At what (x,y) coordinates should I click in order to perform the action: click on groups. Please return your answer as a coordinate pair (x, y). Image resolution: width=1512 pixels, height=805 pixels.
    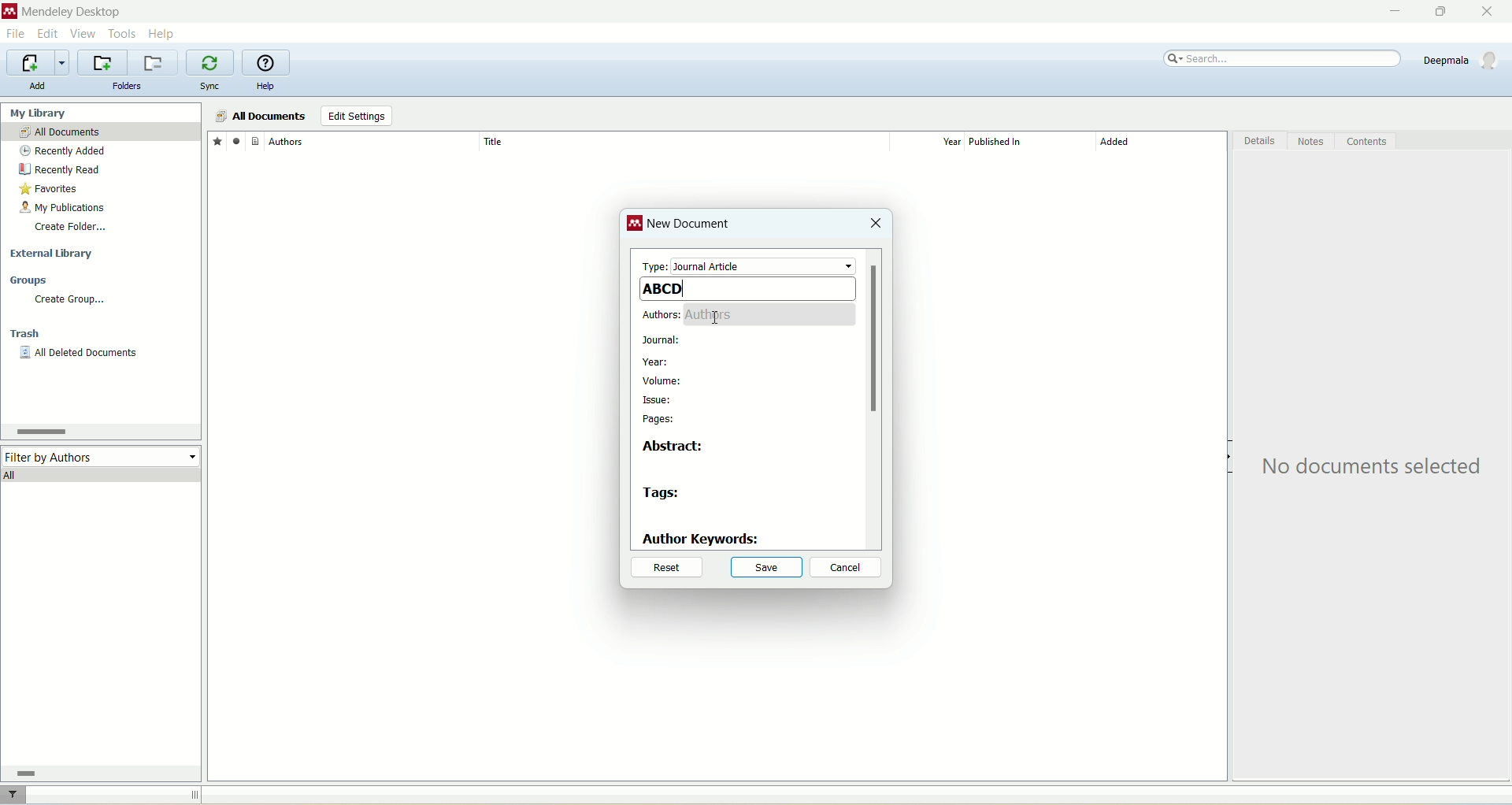
    Looking at the image, I should click on (30, 281).